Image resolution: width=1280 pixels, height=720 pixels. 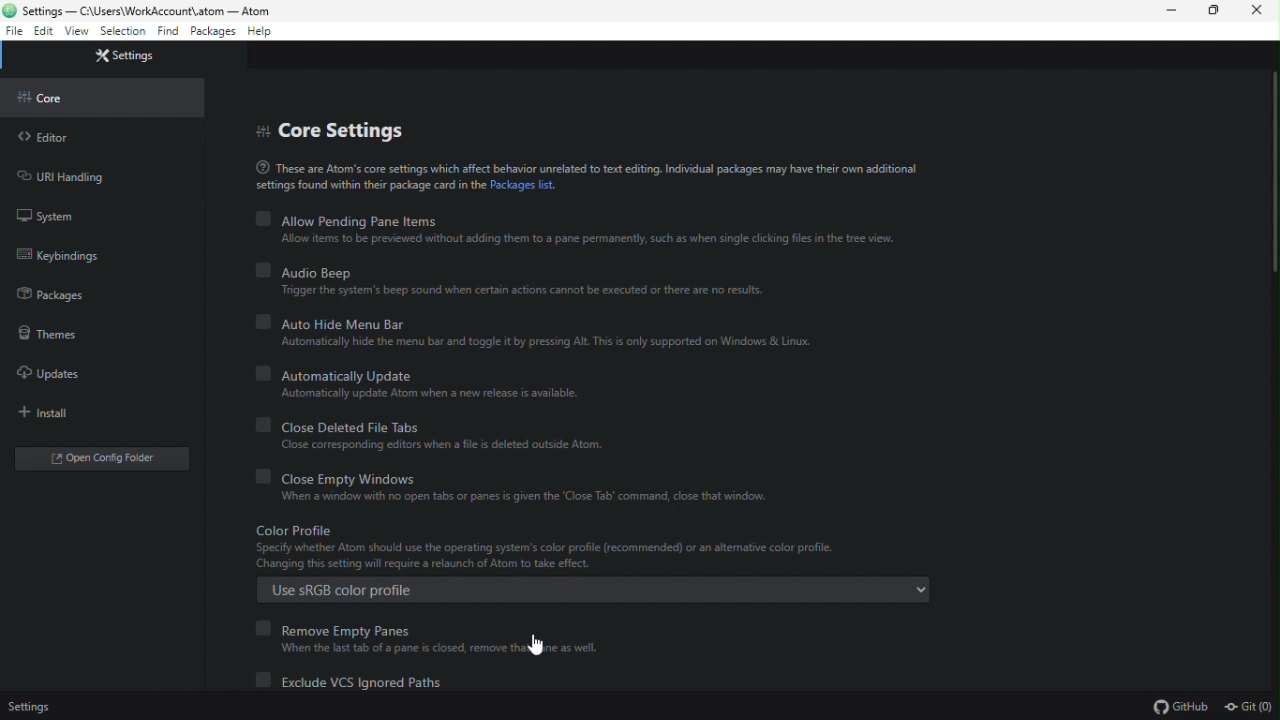 I want to click on cursor, so click(x=535, y=644).